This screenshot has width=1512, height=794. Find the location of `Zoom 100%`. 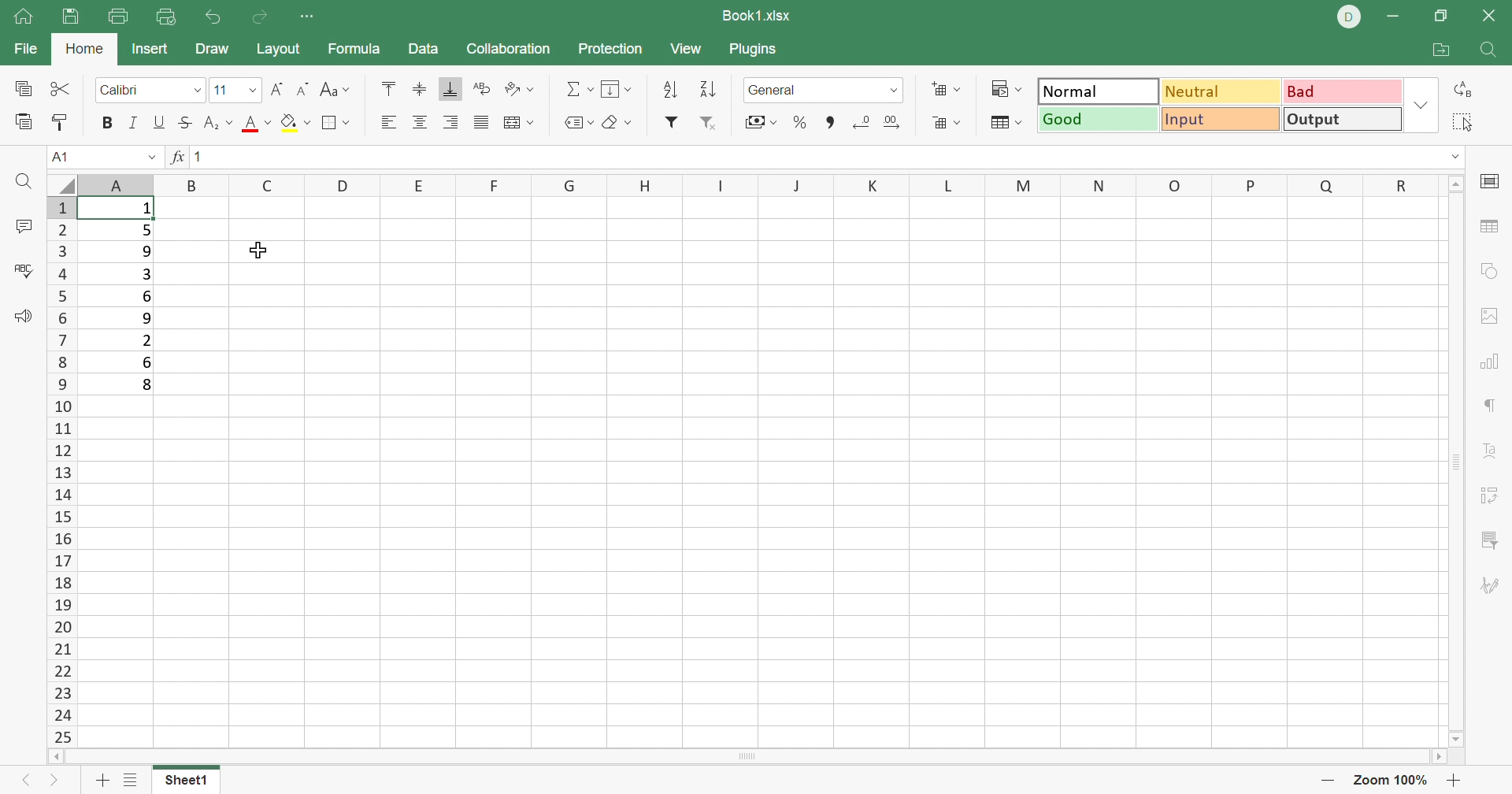

Zoom 100% is located at coordinates (1391, 780).